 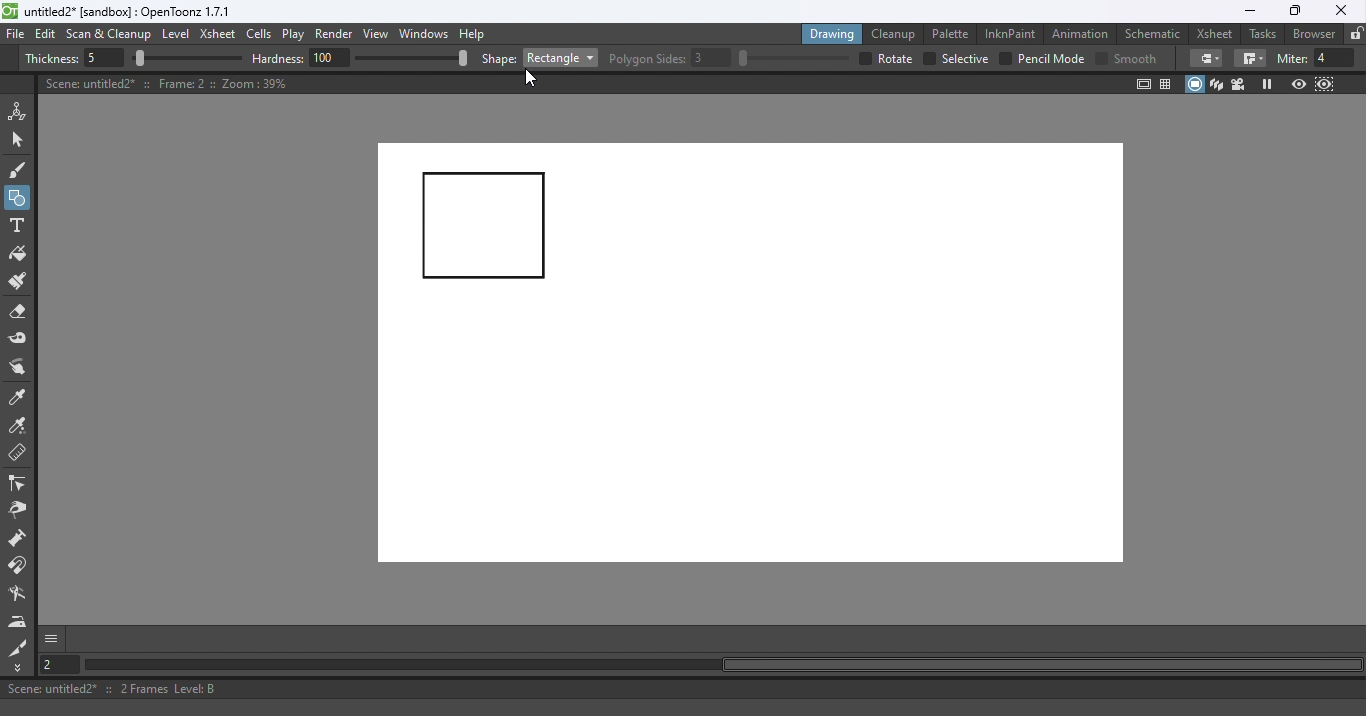 What do you see at coordinates (1249, 11) in the screenshot?
I see `Minimize` at bounding box center [1249, 11].